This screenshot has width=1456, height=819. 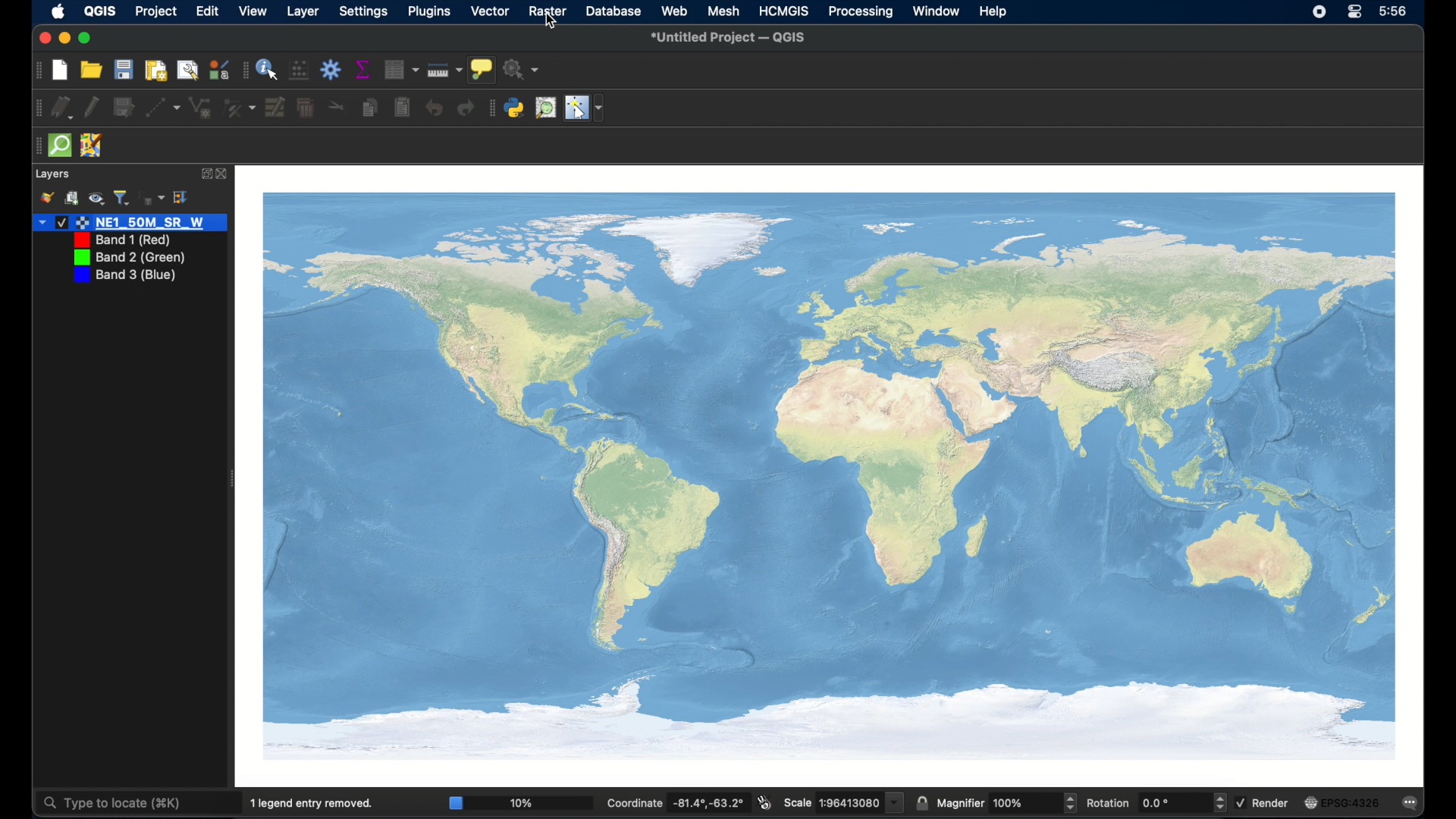 I want to click on copy, so click(x=369, y=108).